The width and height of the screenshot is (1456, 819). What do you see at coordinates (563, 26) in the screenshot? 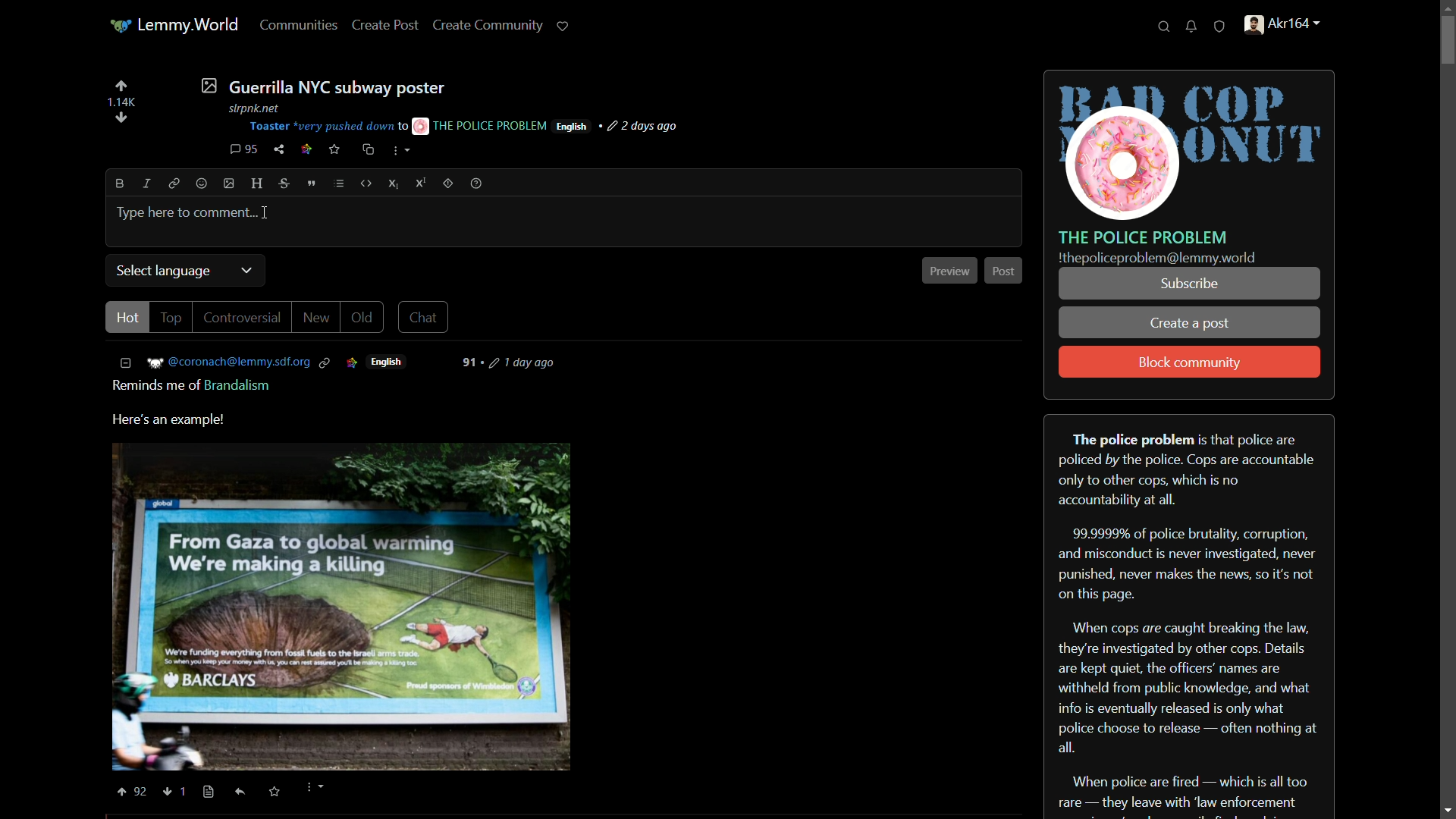
I see `support lemmy.world` at bounding box center [563, 26].